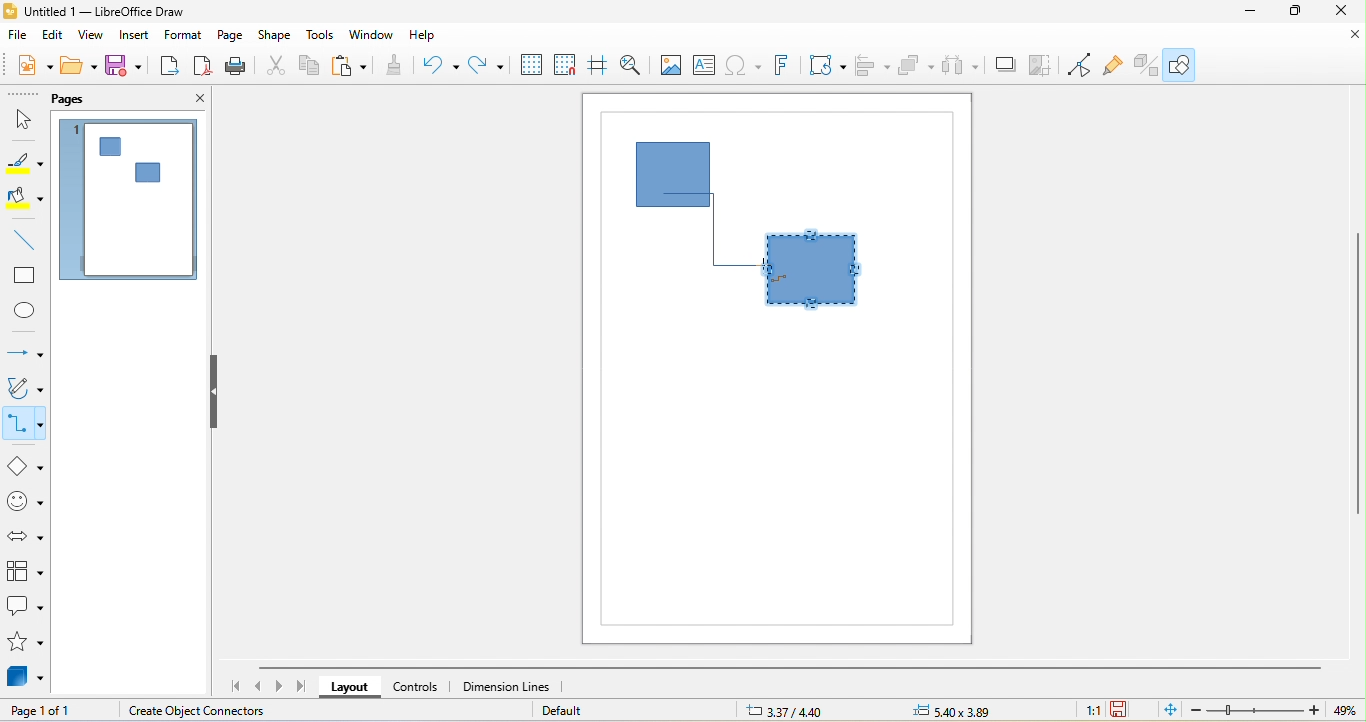 This screenshot has width=1366, height=722. I want to click on basic shapes, so click(24, 466).